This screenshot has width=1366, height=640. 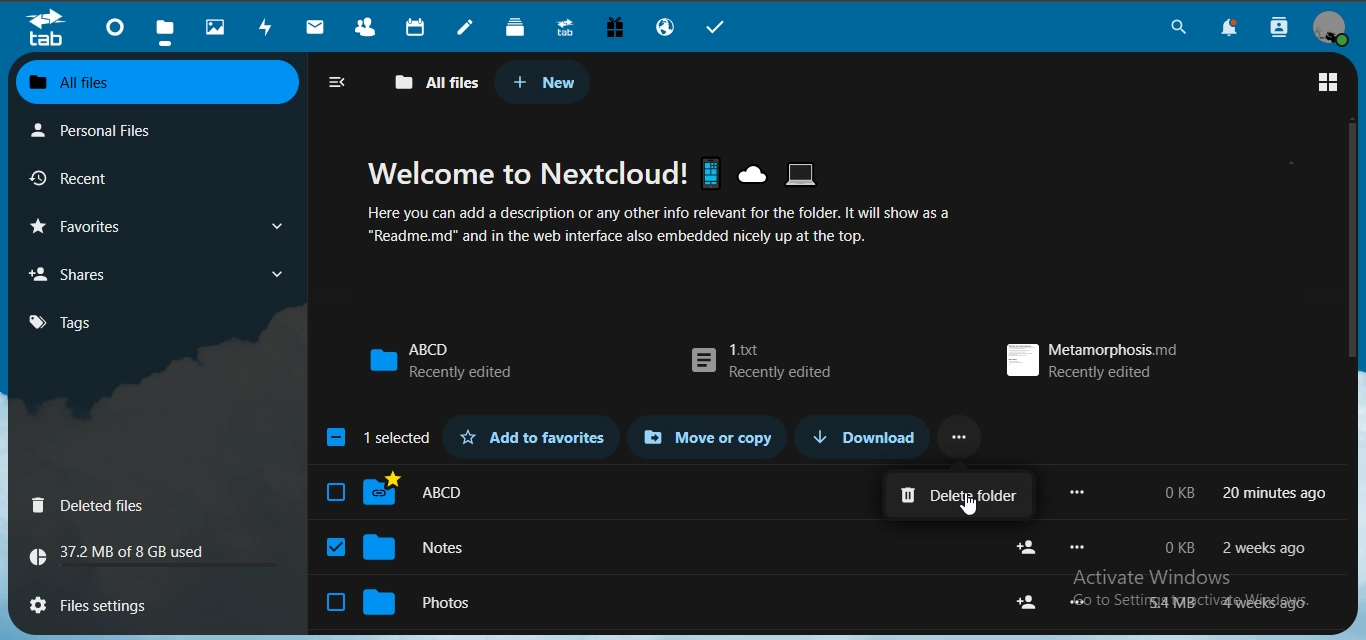 I want to click on Deleted files, so click(x=115, y=505).